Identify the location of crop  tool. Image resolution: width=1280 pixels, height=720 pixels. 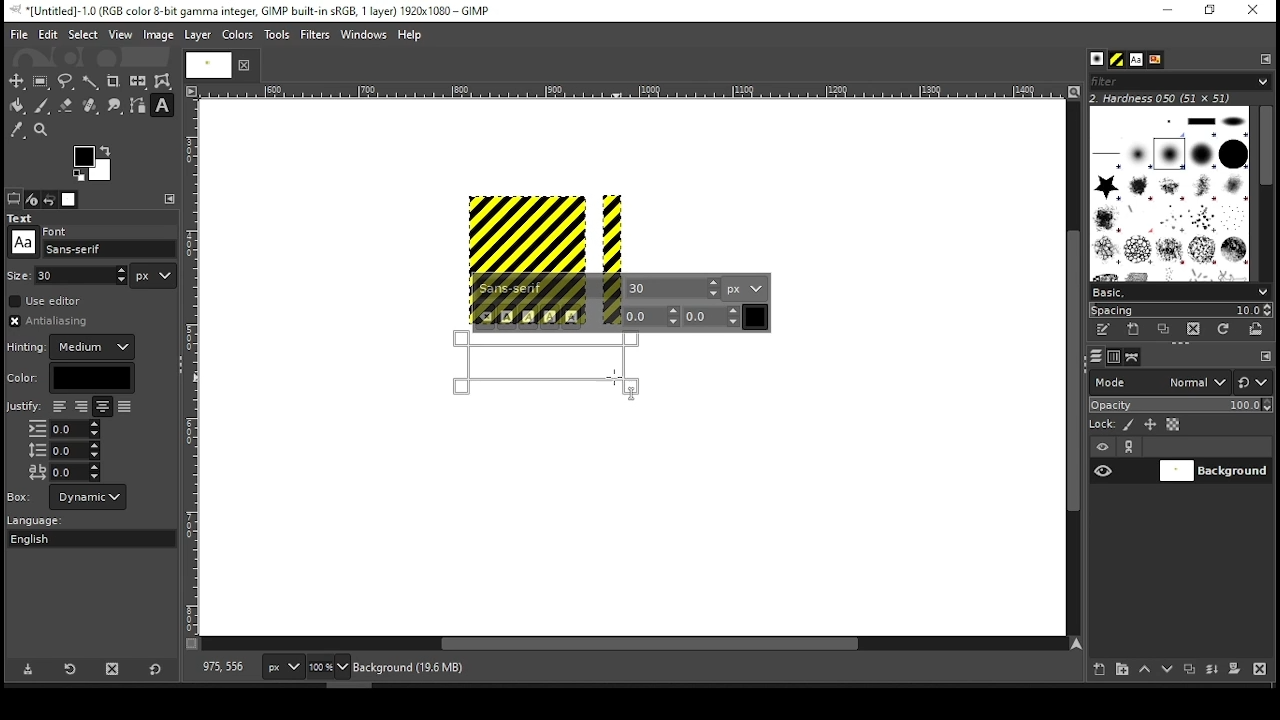
(113, 82).